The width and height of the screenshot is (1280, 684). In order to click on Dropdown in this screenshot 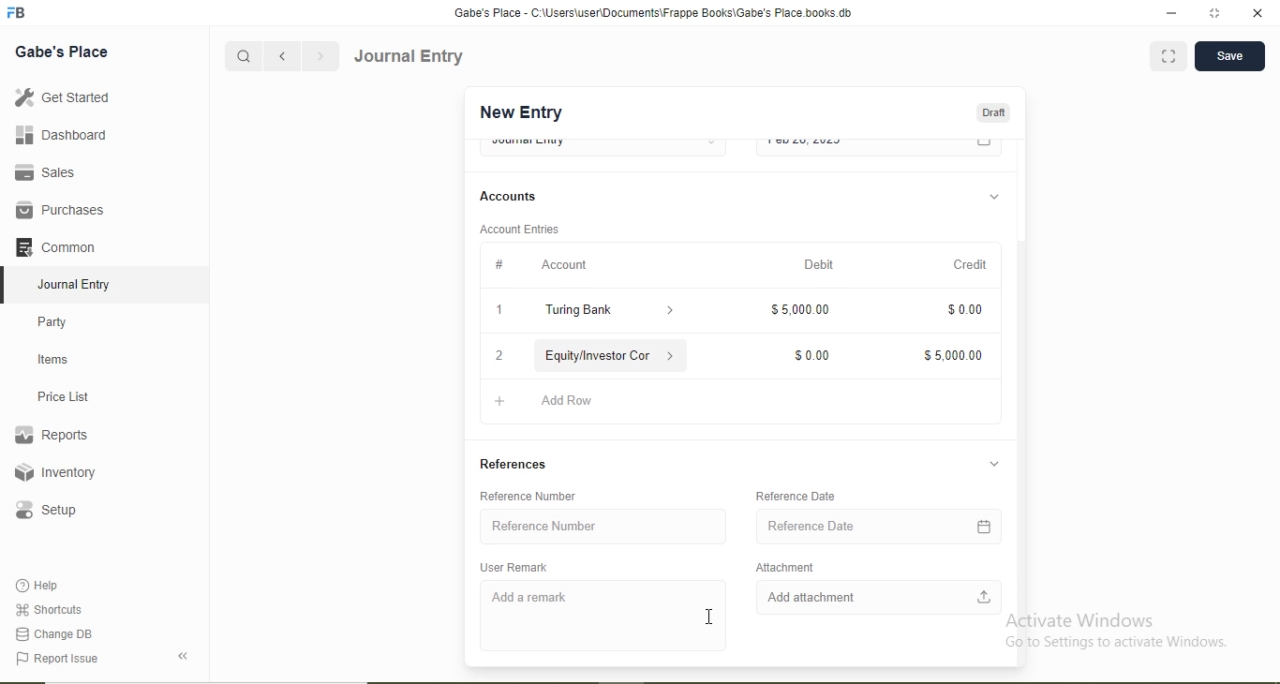, I will do `click(671, 312)`.